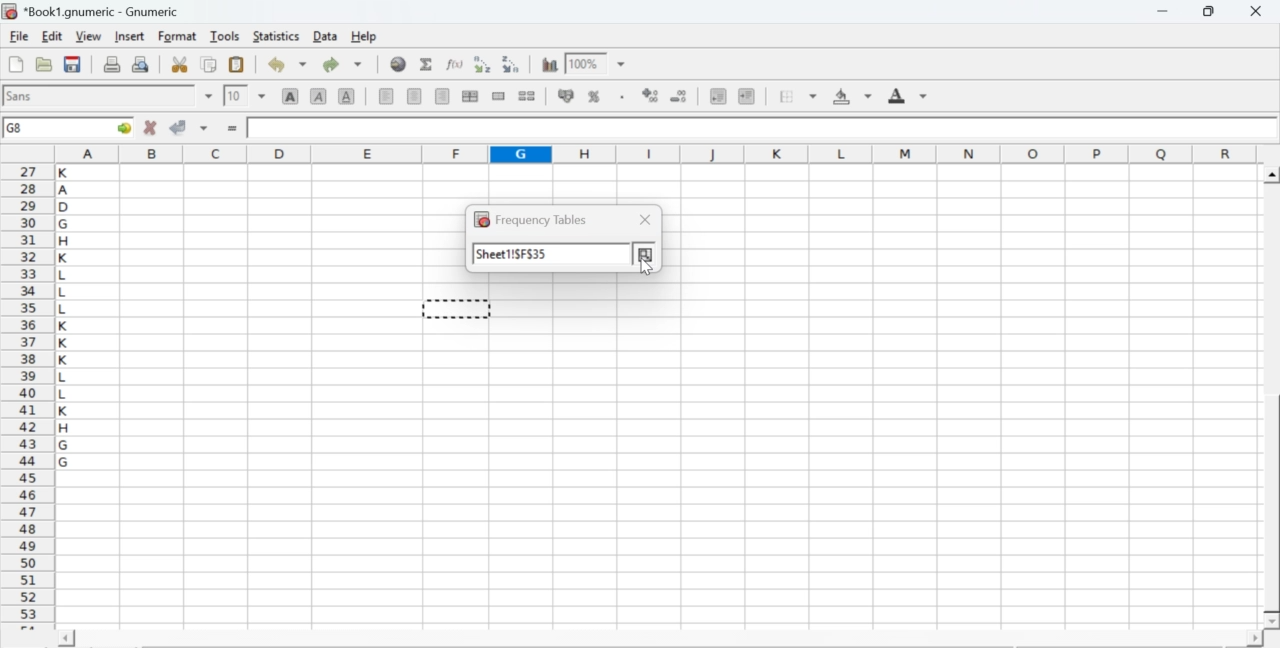 Image resolution: width=1280 pixels, height=648 pixels. I want to click on scroll bar, so click(1272, 398).